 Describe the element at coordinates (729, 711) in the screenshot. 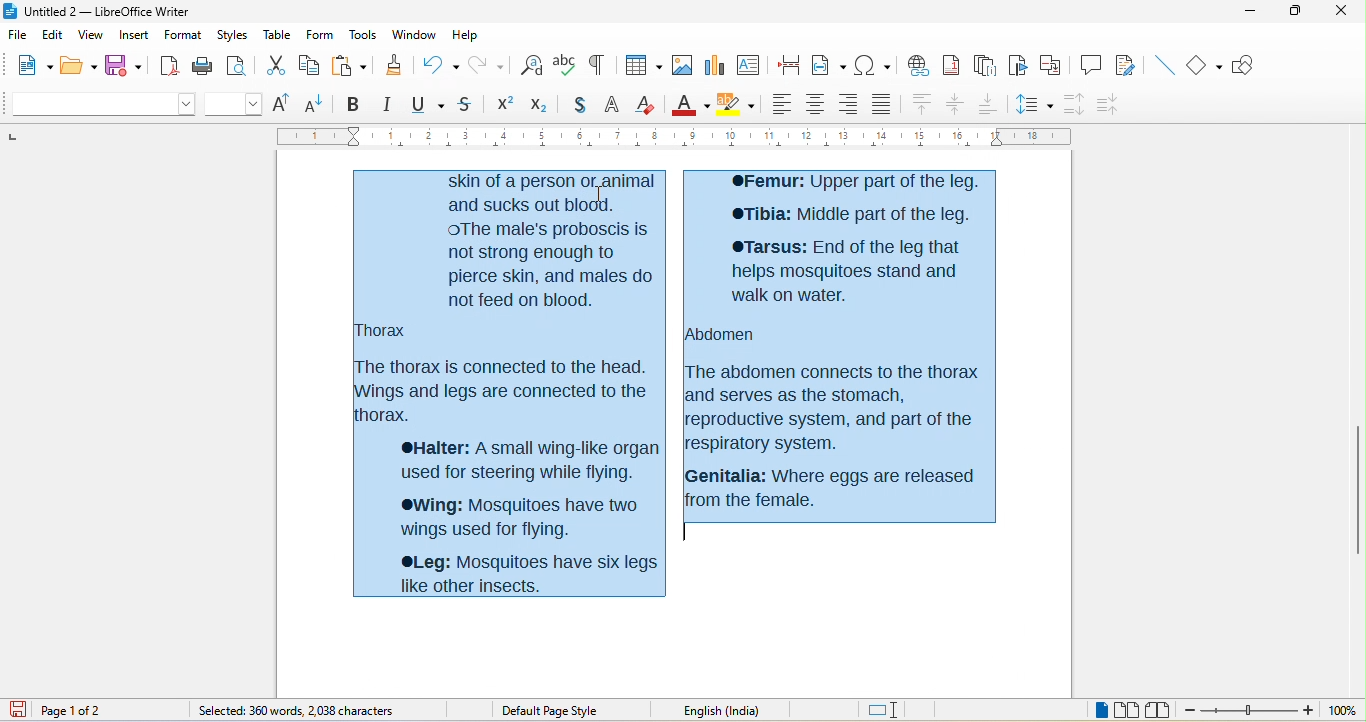

I see `text language` at that location.